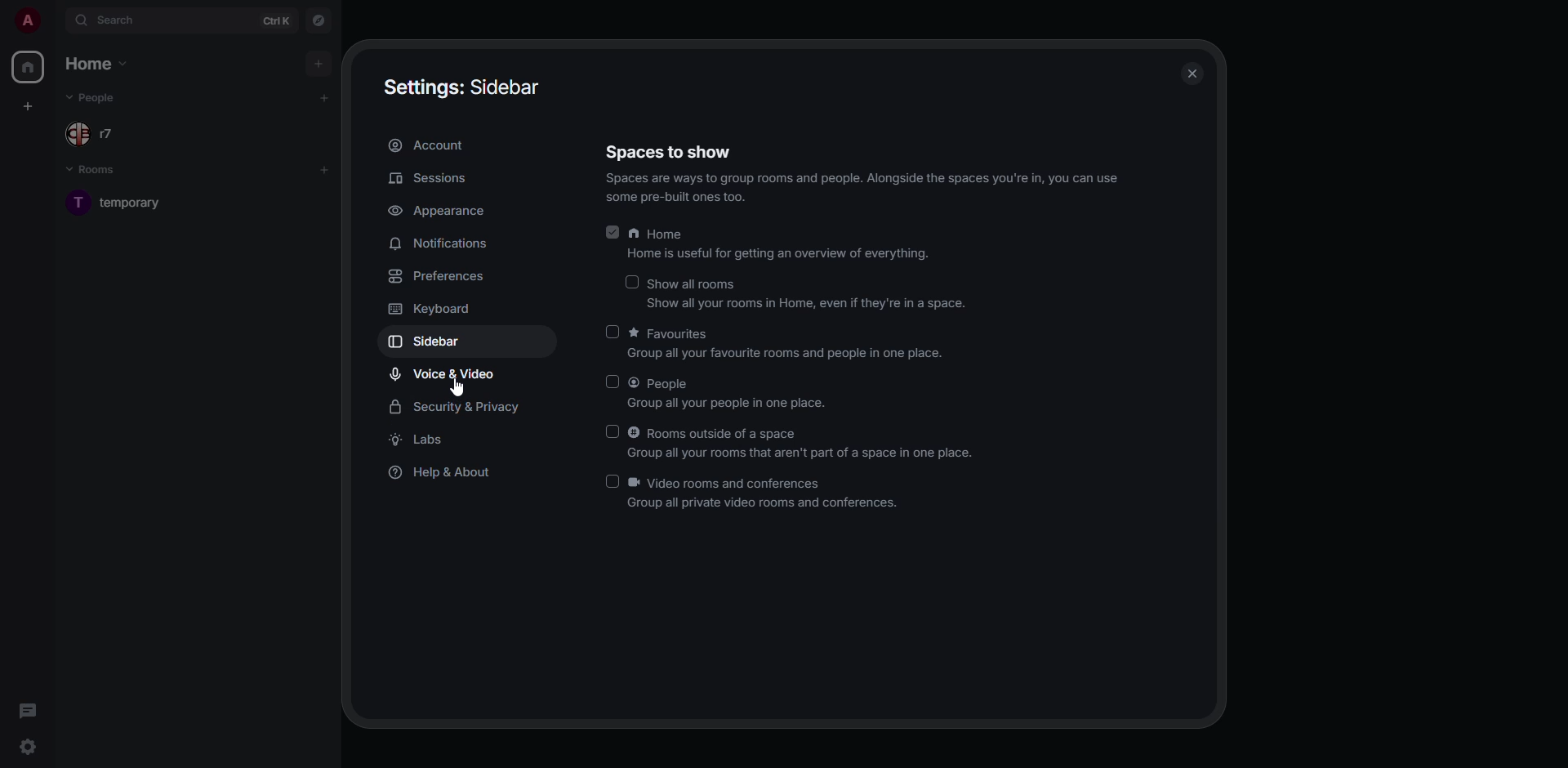 This screenshot has width=1568, height=768. I want to click on people, so click(100, 98).